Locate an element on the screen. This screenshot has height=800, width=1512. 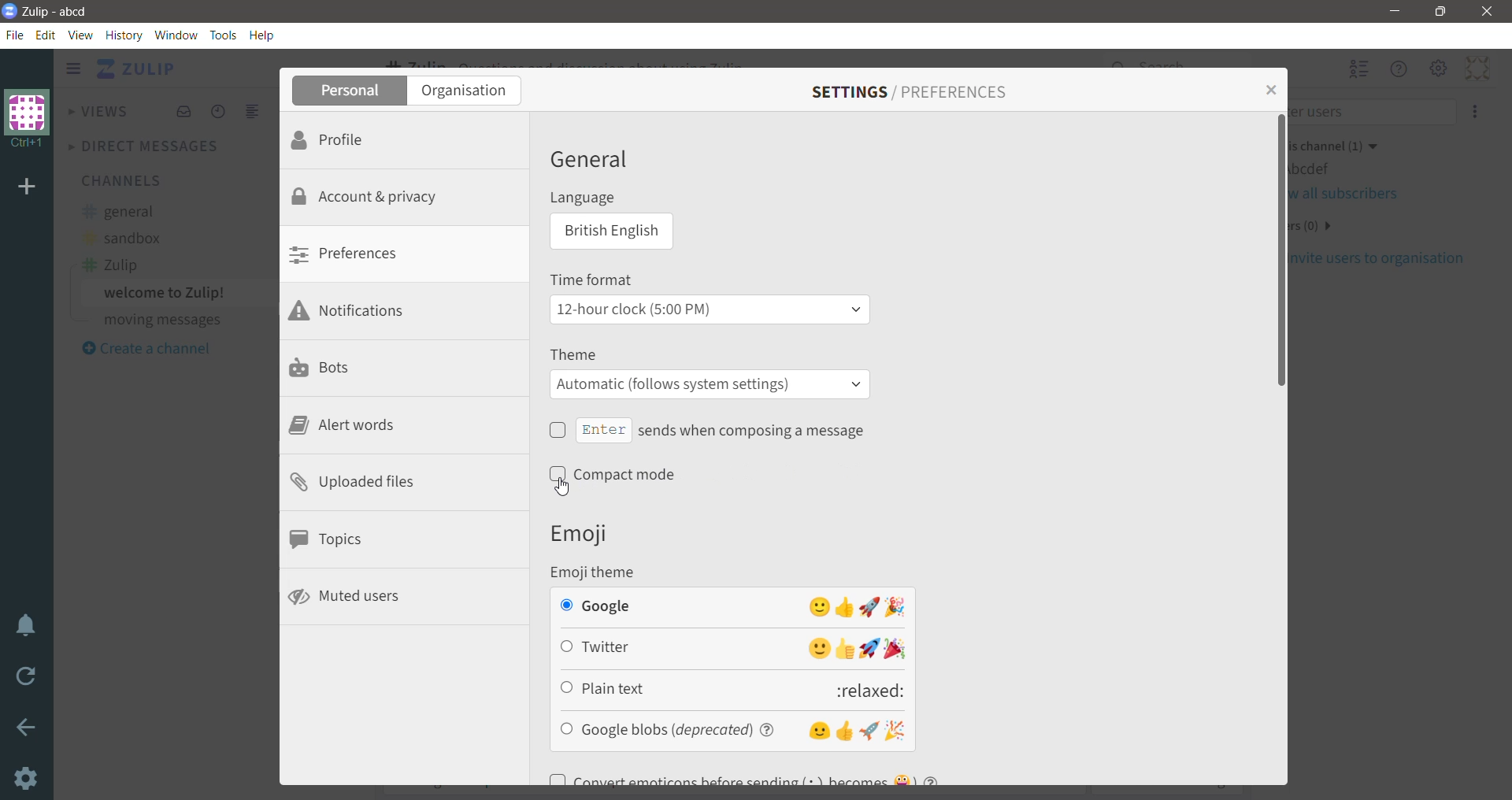
Add Organization is located at coordinates (28, 188).